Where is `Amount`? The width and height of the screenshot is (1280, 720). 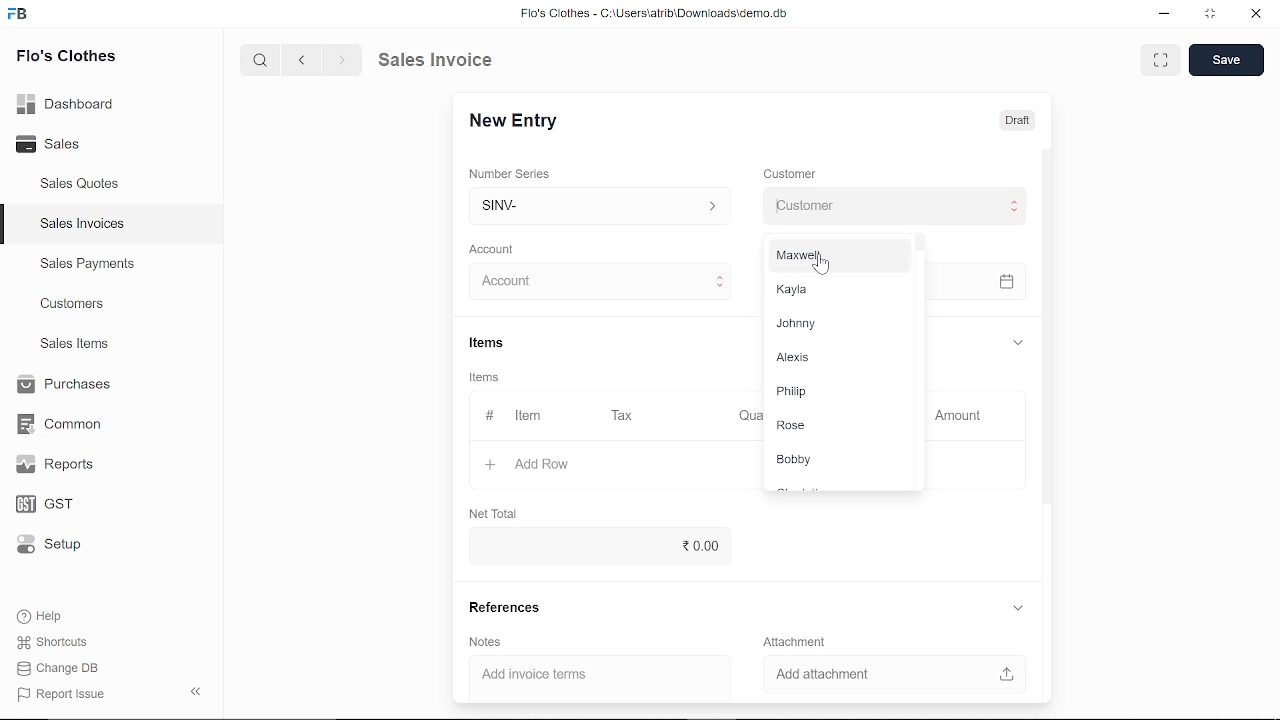
Amount is located at coordinates (957, 417).